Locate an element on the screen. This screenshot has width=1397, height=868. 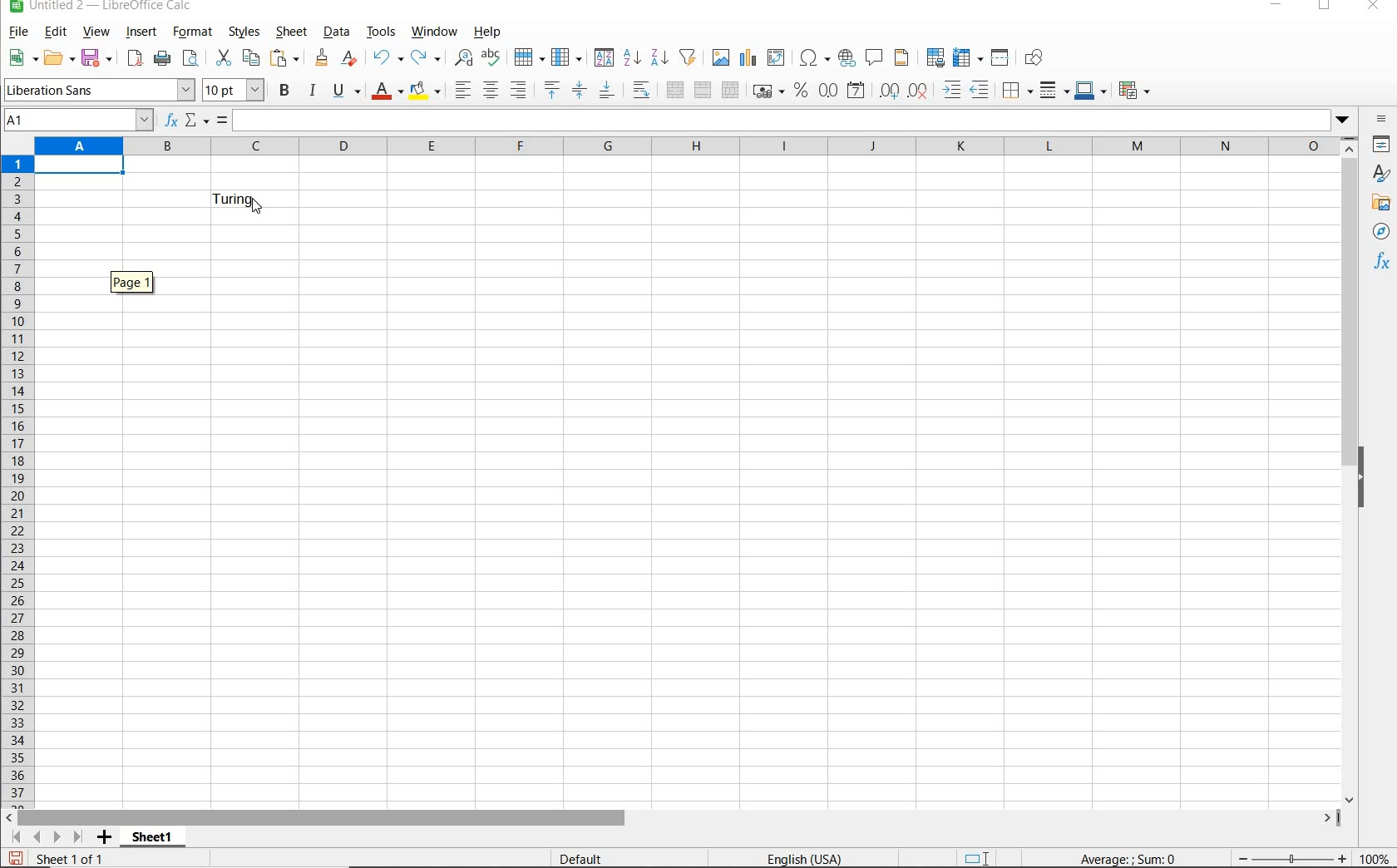
FILE NAME is located at coordinates (99, 7).